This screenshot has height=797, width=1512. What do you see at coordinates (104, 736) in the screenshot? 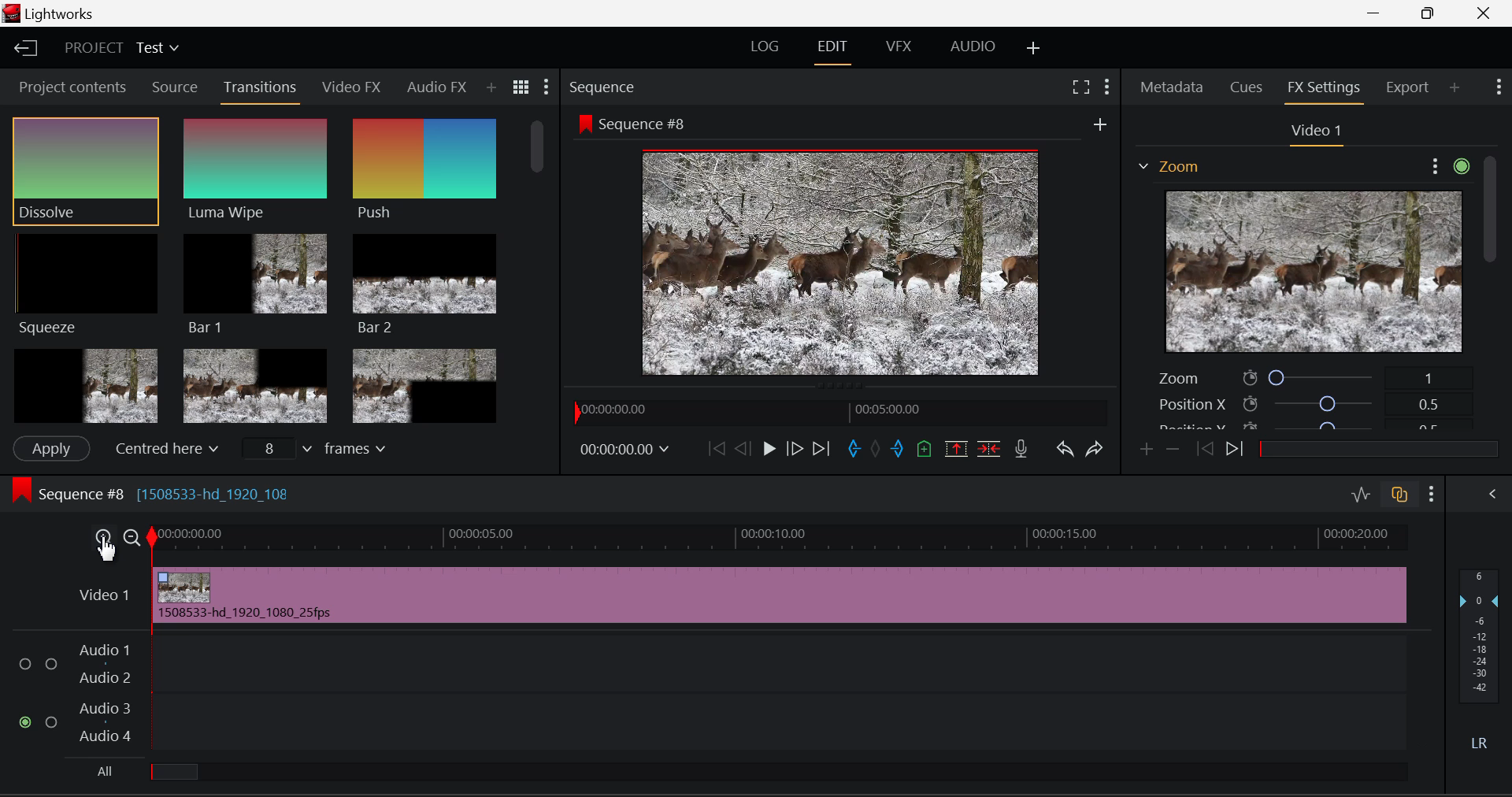
I see `Audio 4` at bounding box center [104, 736].